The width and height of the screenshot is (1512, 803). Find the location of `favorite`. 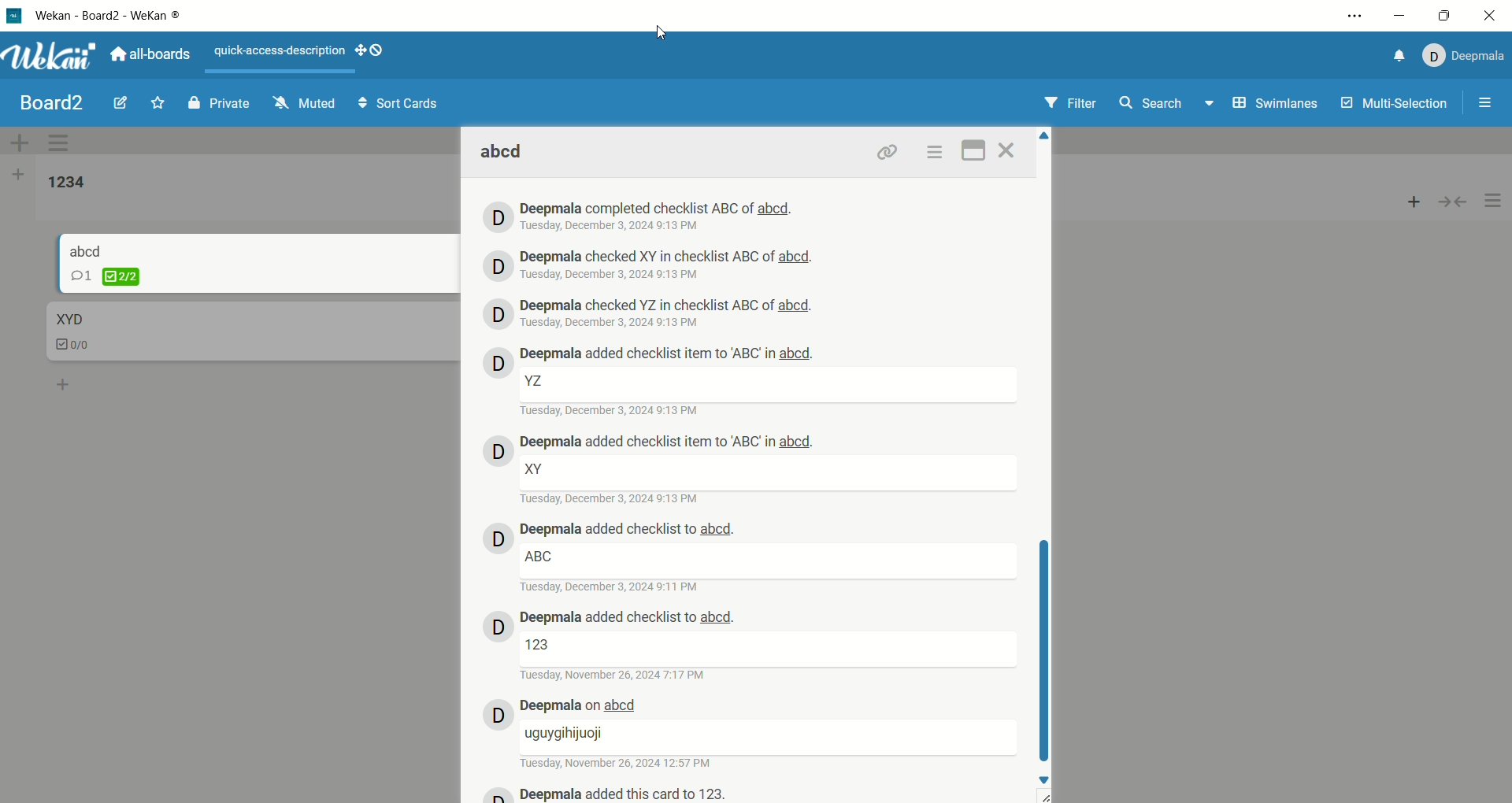

favorite is located at coordinates (159, 102).